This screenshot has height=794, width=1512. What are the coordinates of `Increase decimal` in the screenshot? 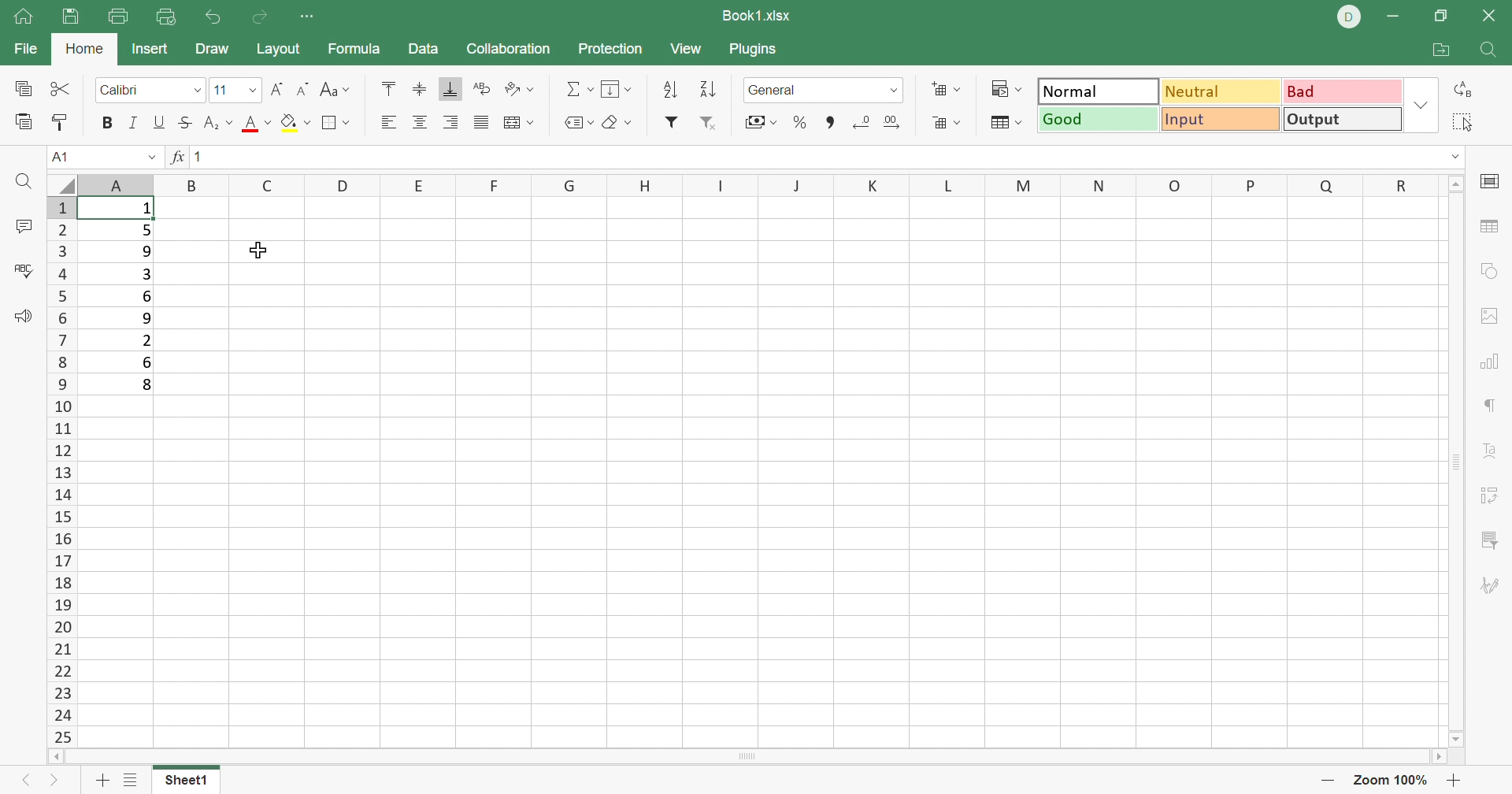 It's located at (894, 121).